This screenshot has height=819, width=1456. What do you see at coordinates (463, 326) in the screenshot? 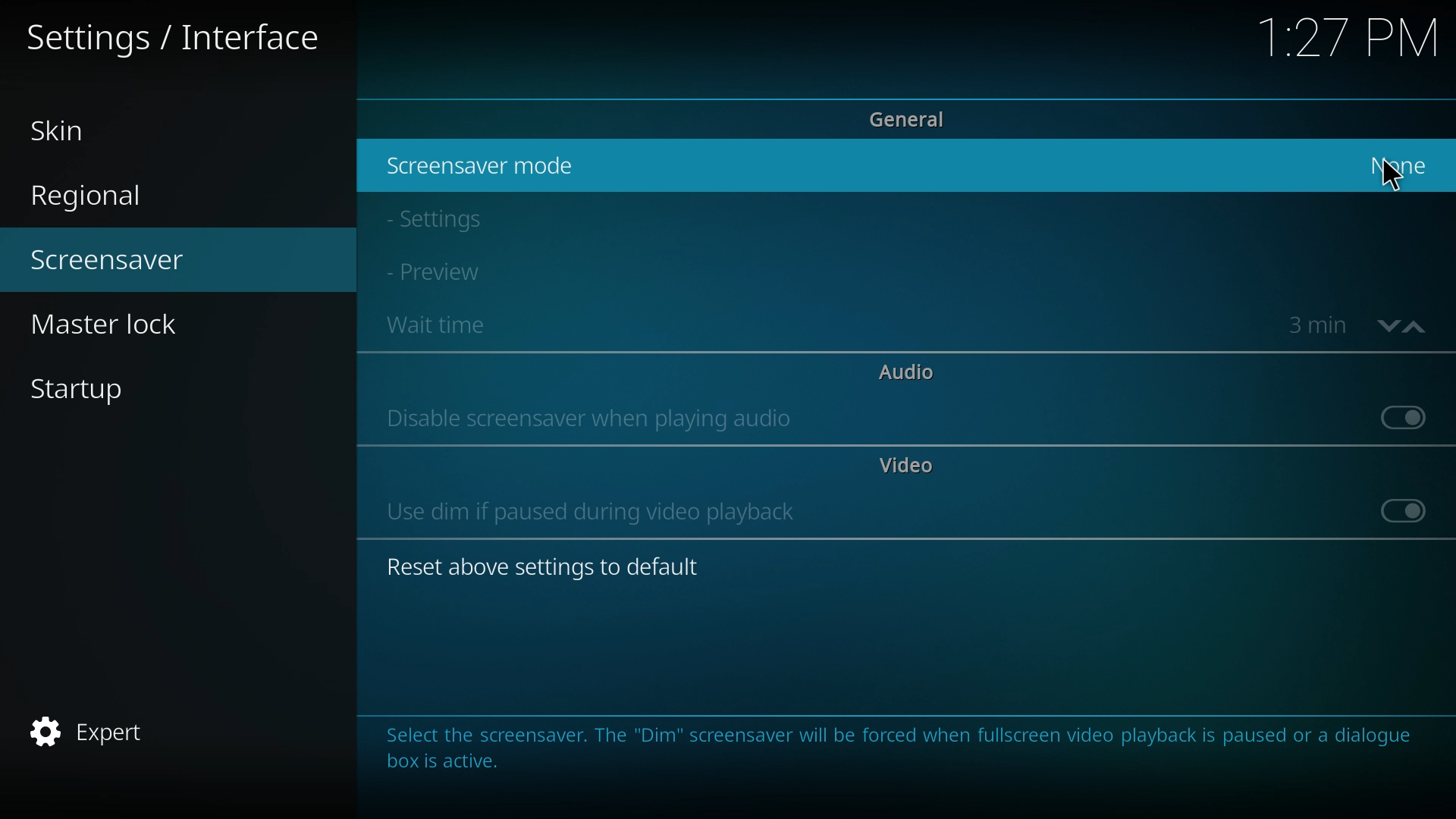
I see `wait time` at bounding box center [463, 326].